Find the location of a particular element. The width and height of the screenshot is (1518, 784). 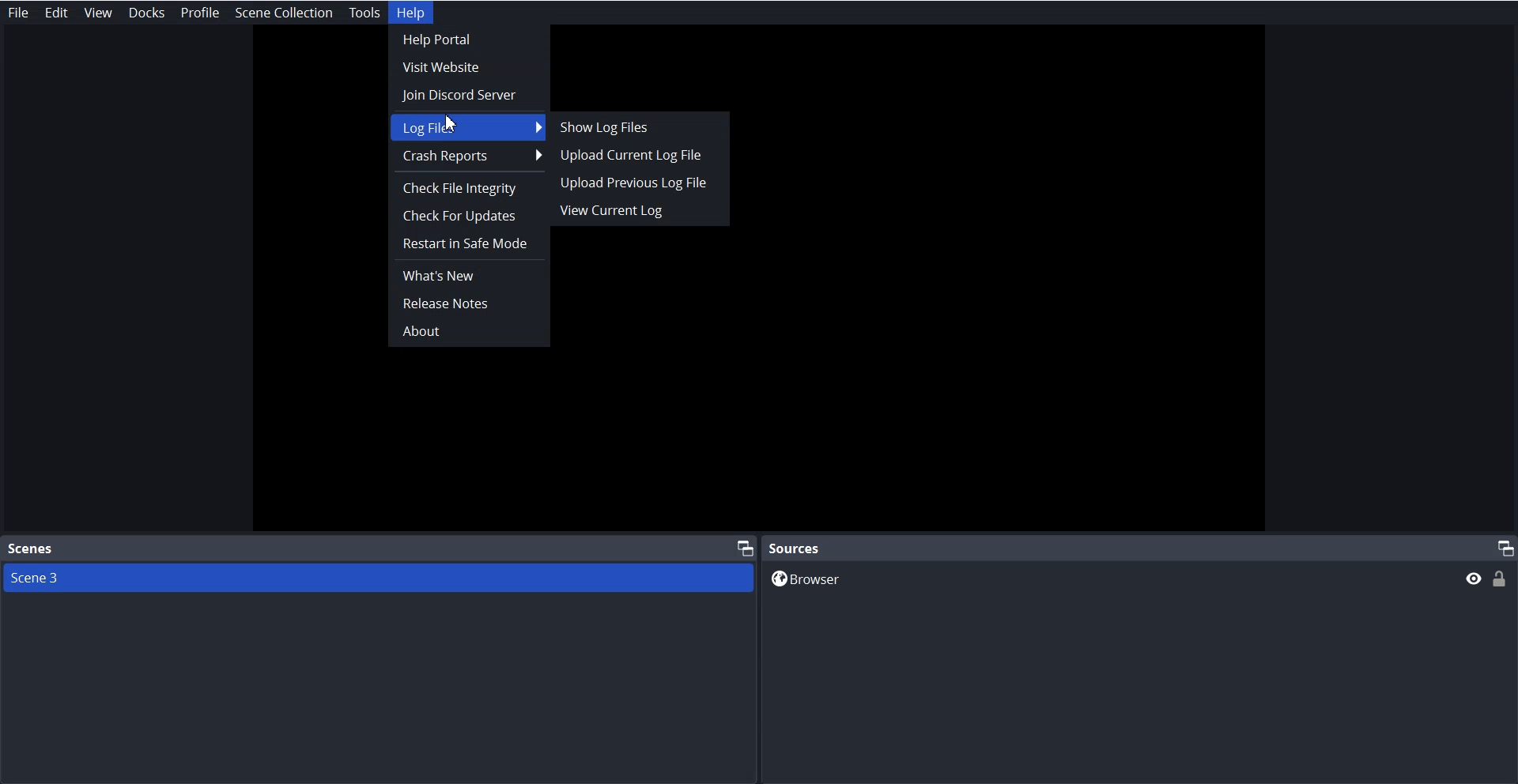

Maximize Window is located at coordinates (737, 548).